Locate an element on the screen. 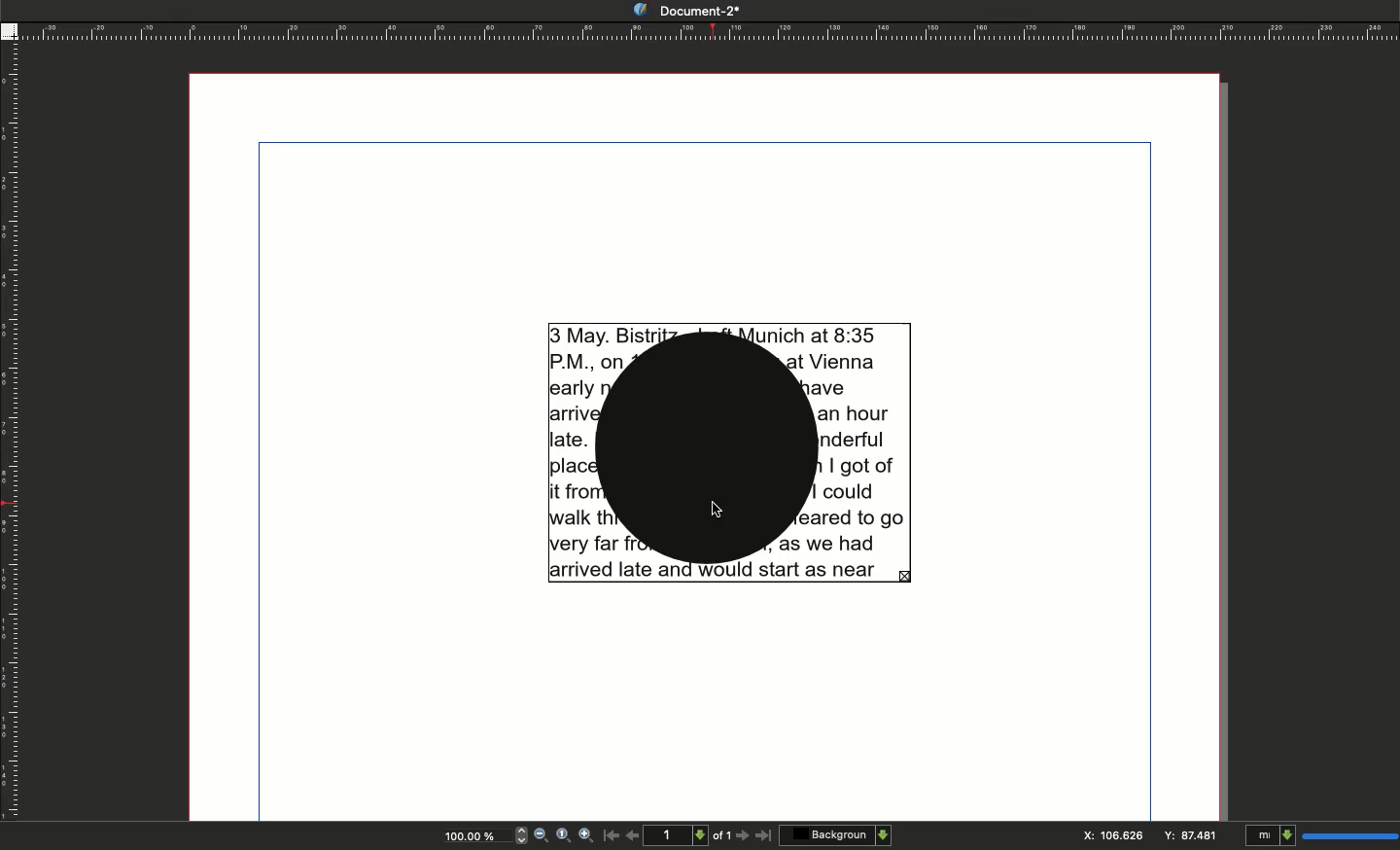 The width and height of the screenshot is (1400, 850). Document-2* is located at coordinates (692, 11).